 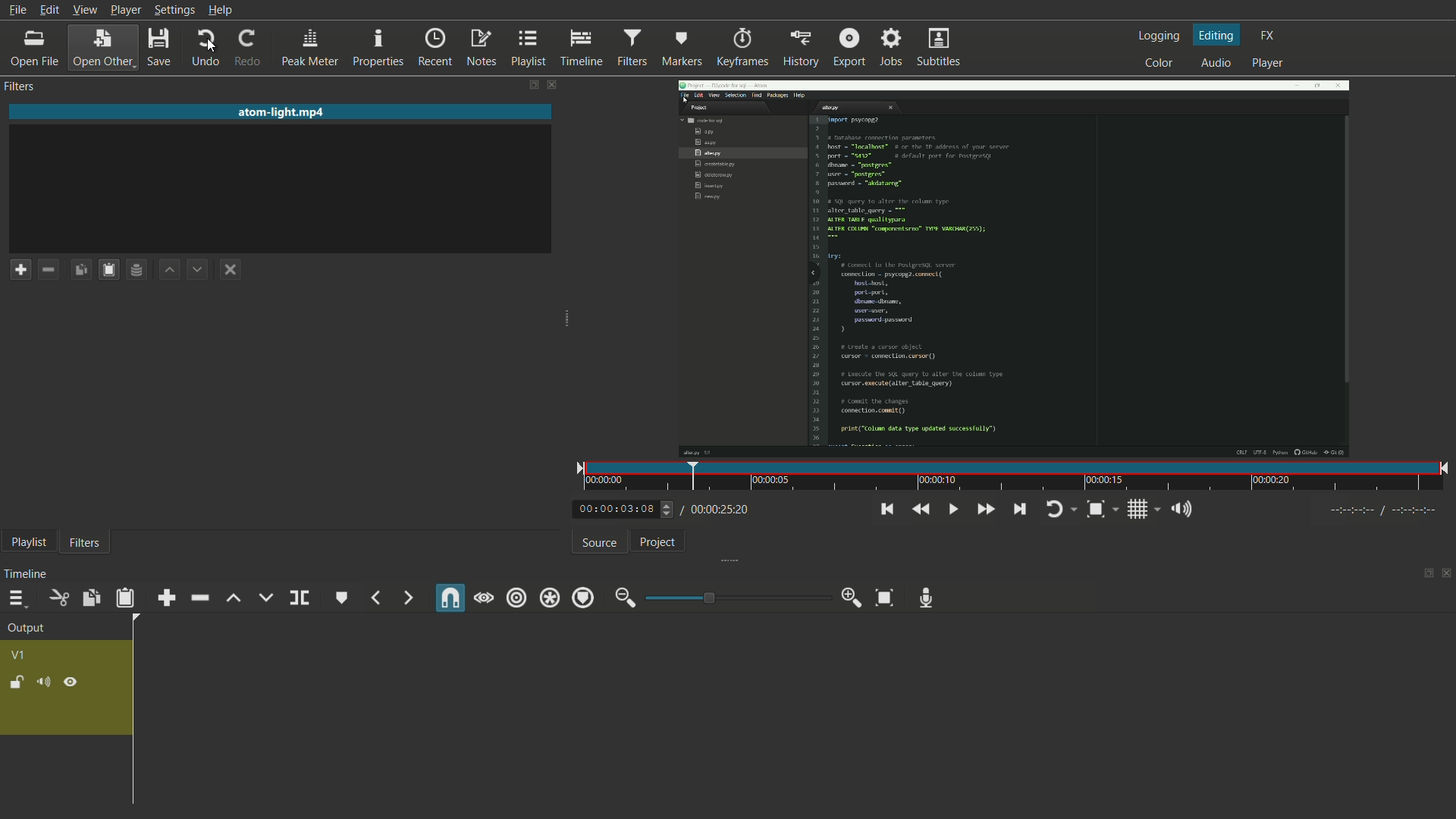 I want to click on Player, so click(x=120, y=9).